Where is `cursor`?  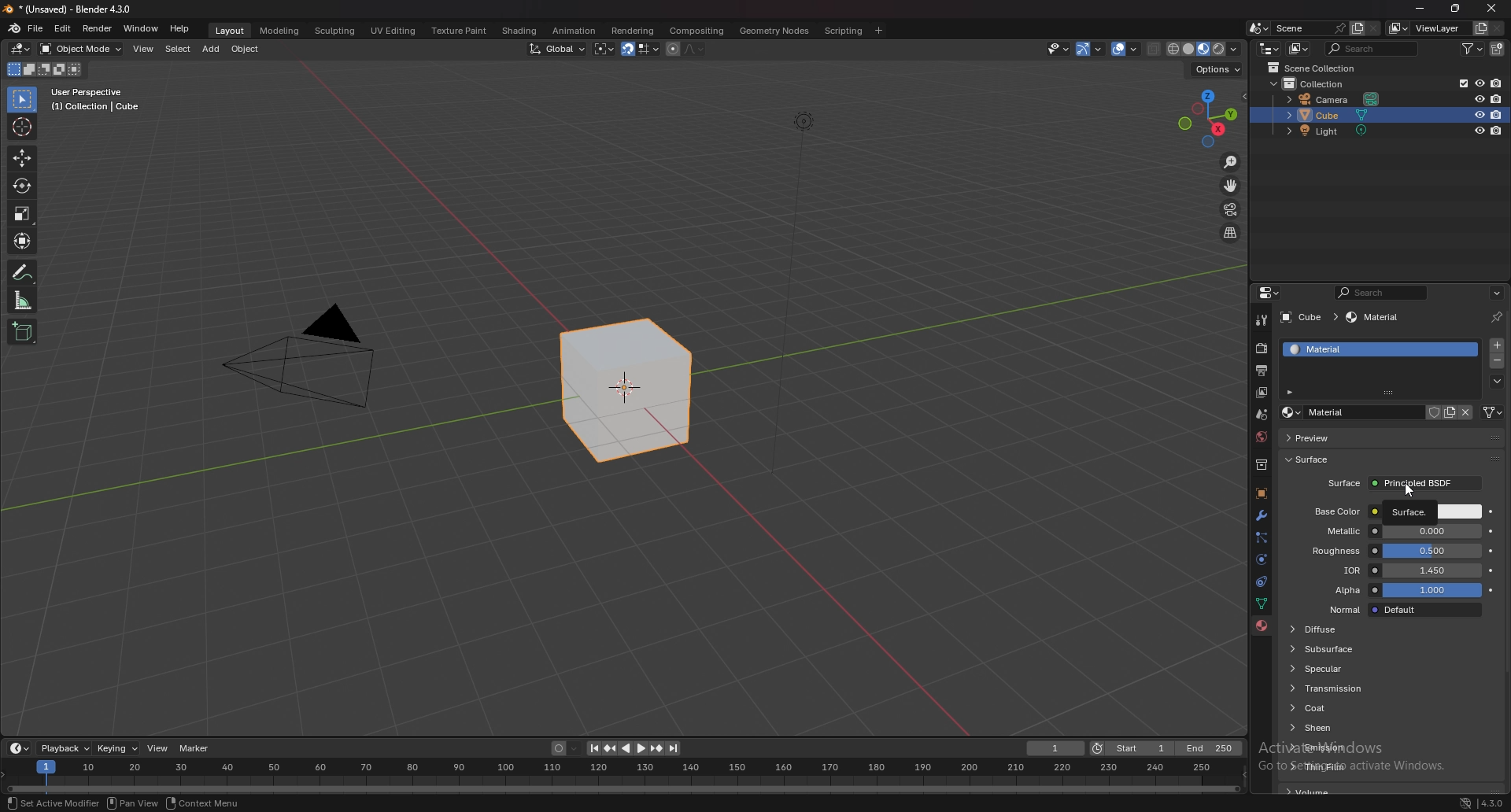 cursor is located at coordinates (23, 126).